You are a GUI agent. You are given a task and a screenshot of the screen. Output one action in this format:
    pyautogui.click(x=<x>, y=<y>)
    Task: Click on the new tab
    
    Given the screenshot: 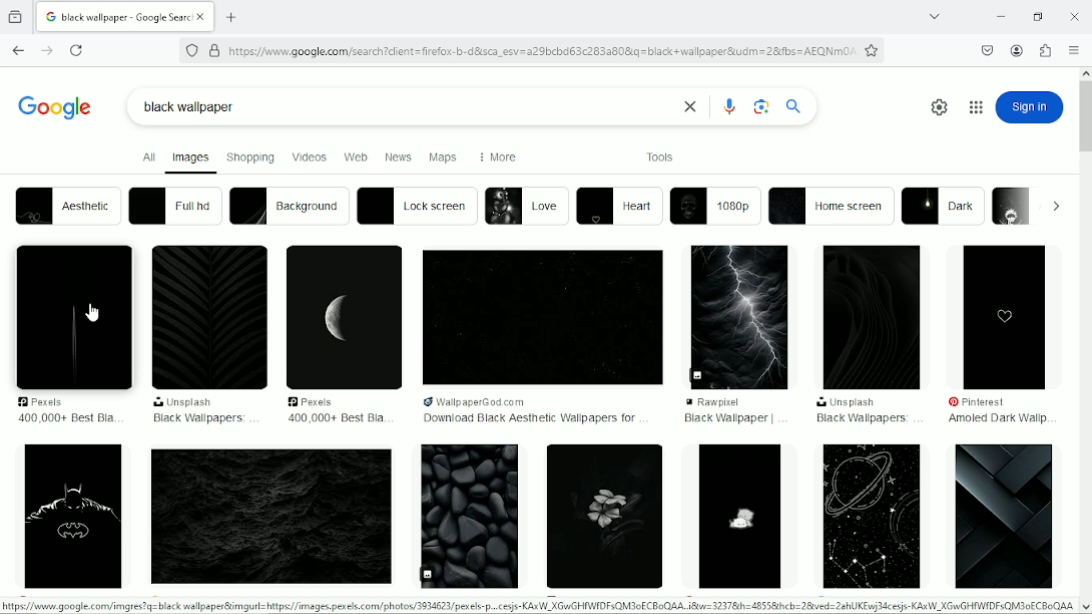 What is the action you would take?
    pyautogui.click(x=232, y=17)
    